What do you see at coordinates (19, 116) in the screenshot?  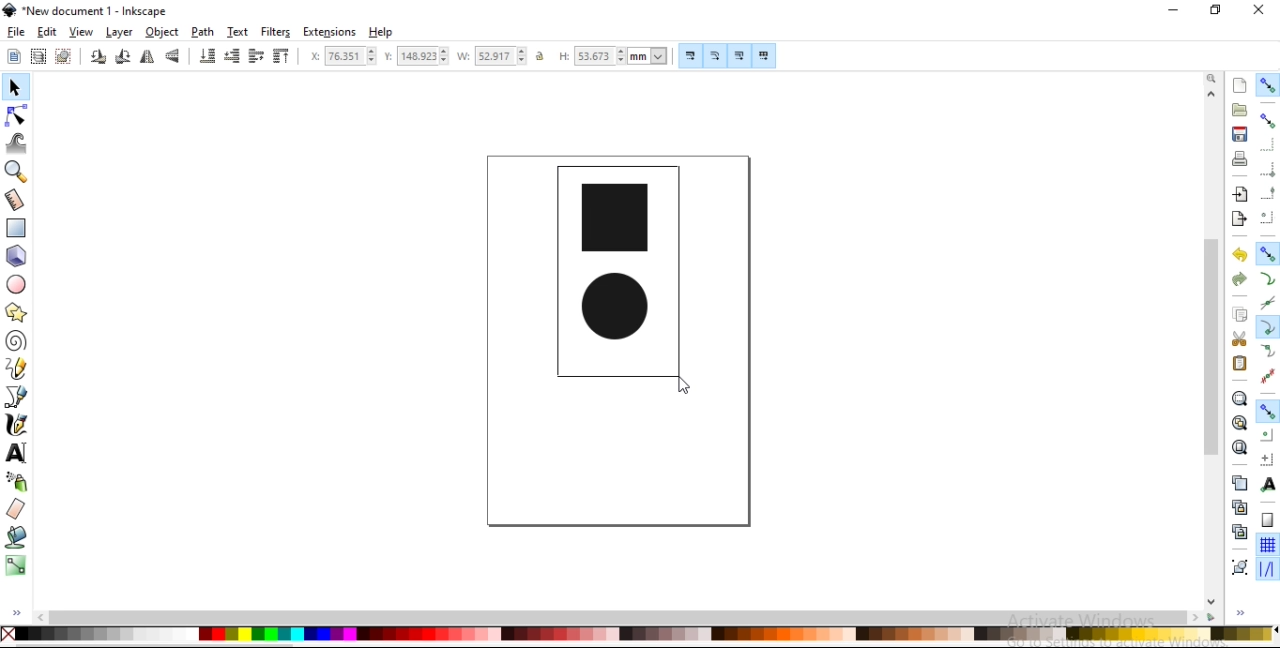 I see `edit paths by nodes` at bounding box center [19, 116].